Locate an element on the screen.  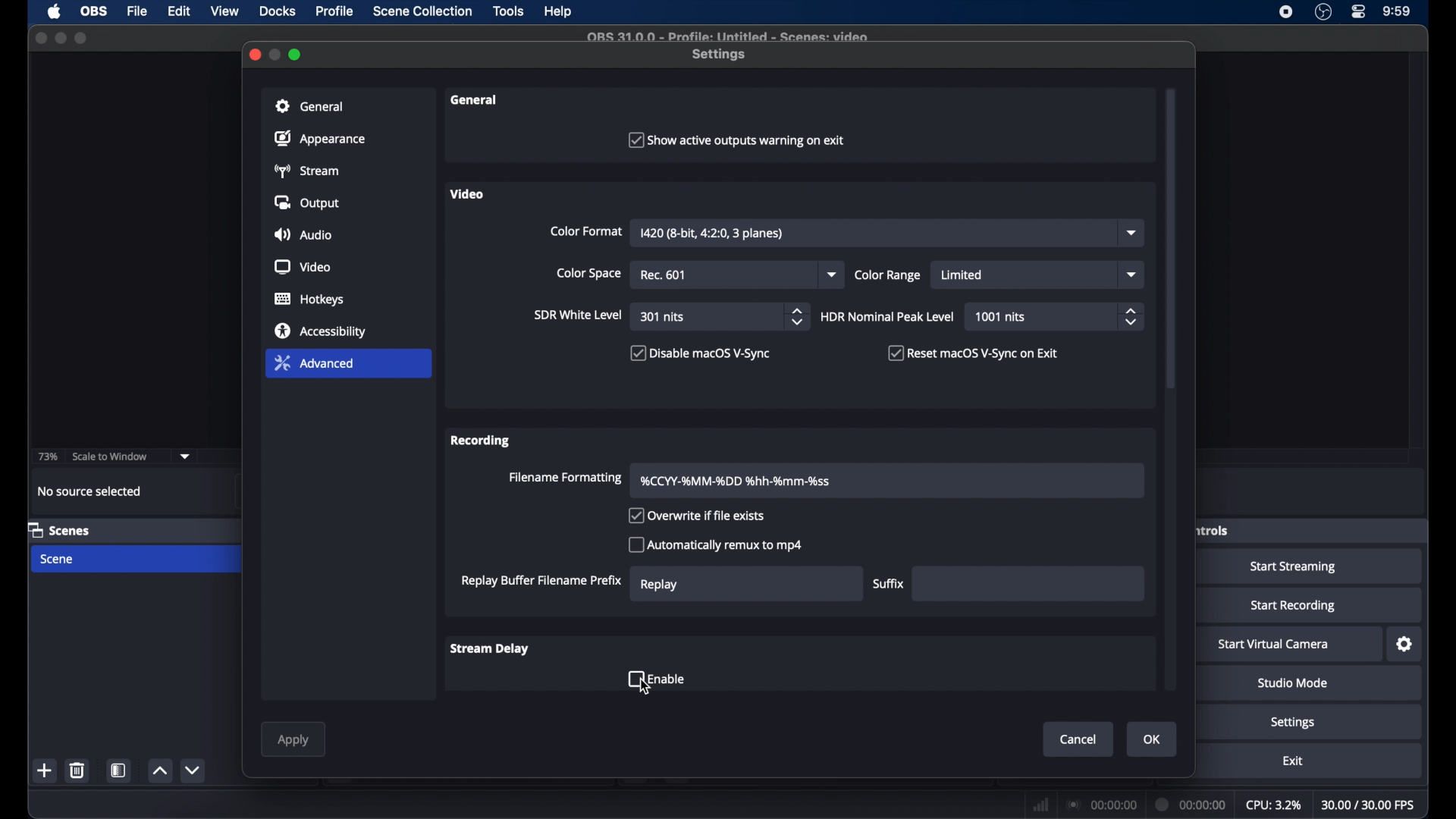
scale to window is located at coordinates (111, 455).